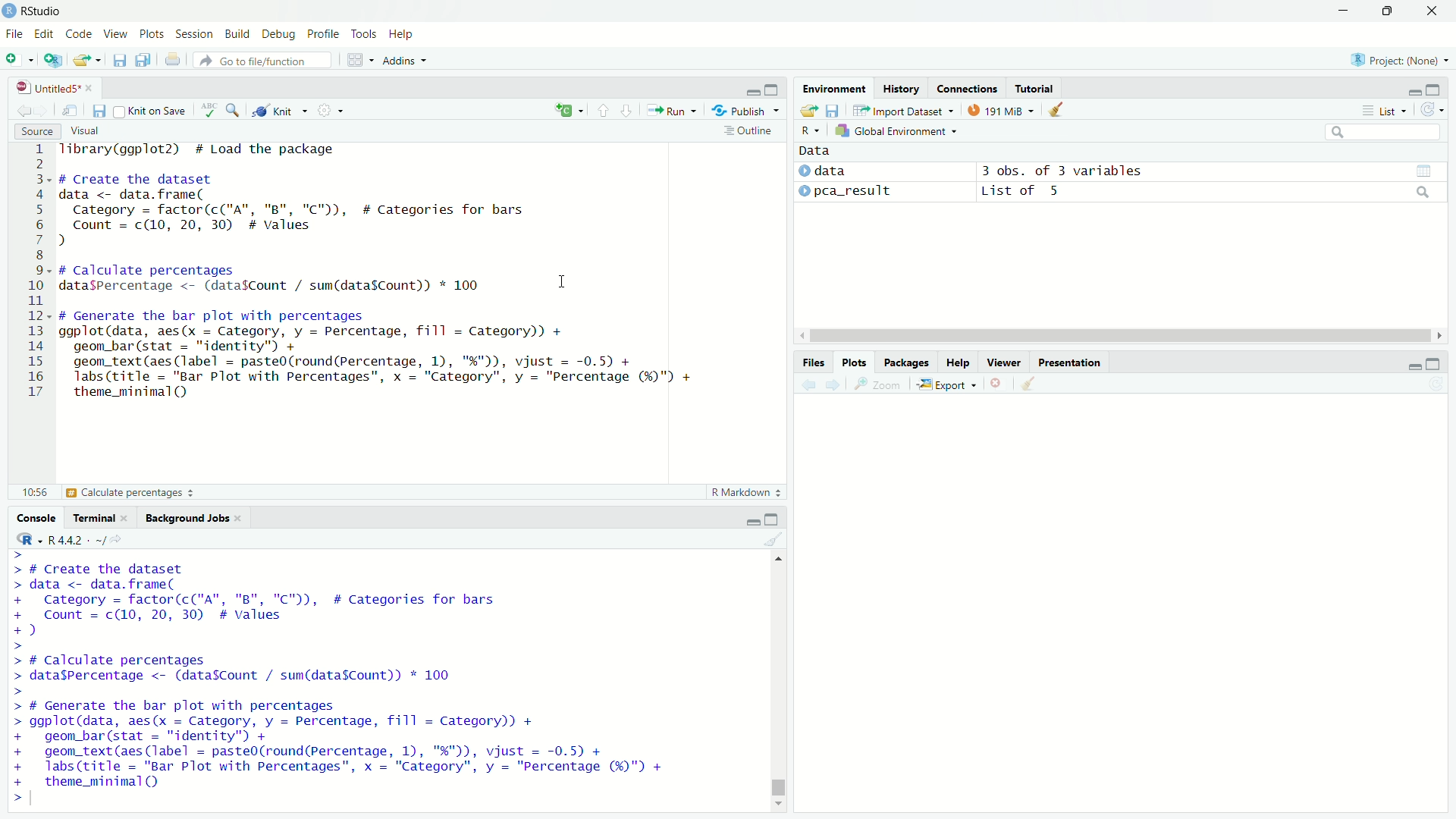 The image size is (1456, 819). What do you see at coordinates (808, 111) in the screenshot?
I see `load workspace` at bounding box center [808, 111].